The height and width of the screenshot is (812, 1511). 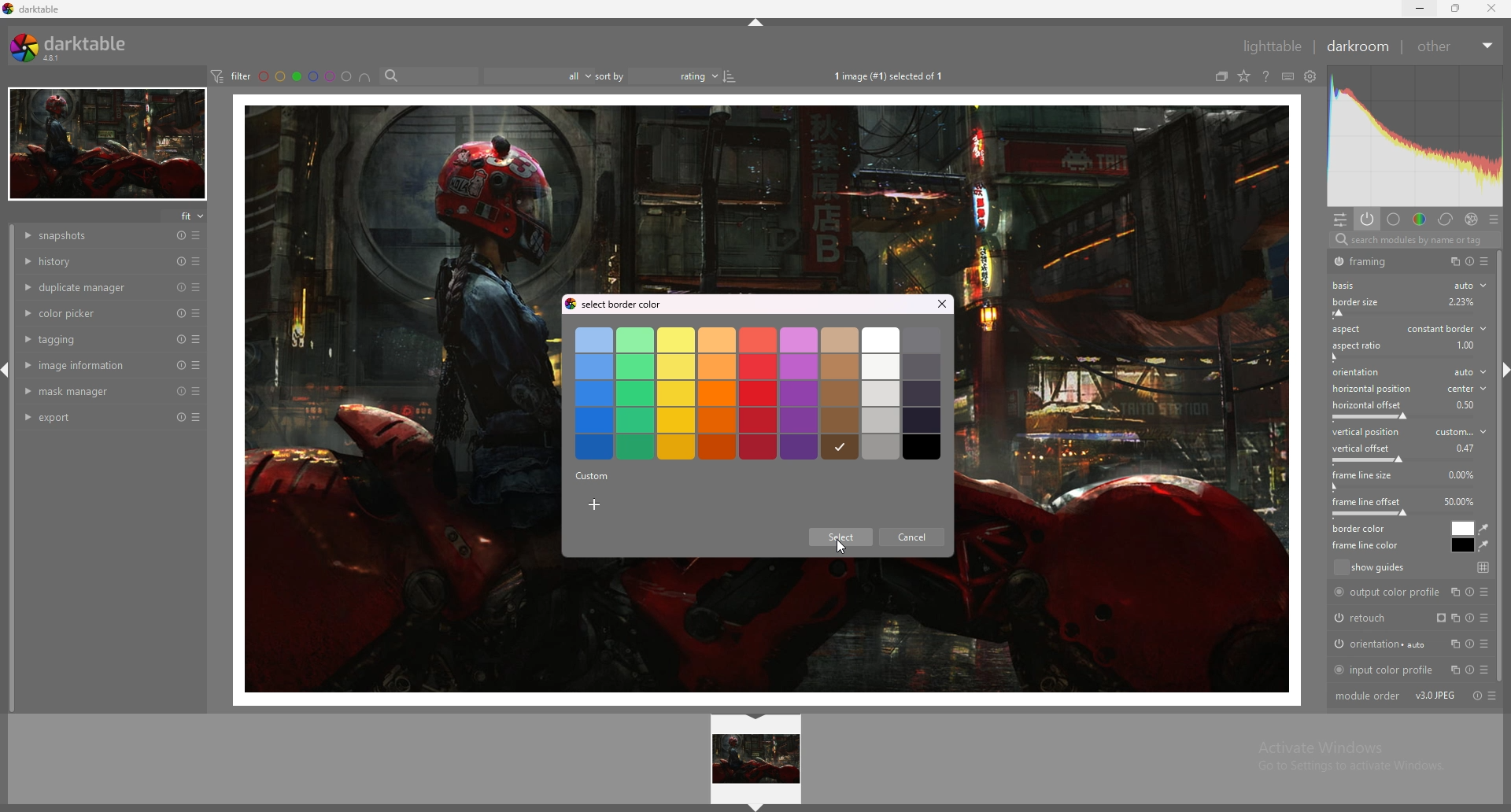 I want to click on auto, so click(x=1469, y=286).